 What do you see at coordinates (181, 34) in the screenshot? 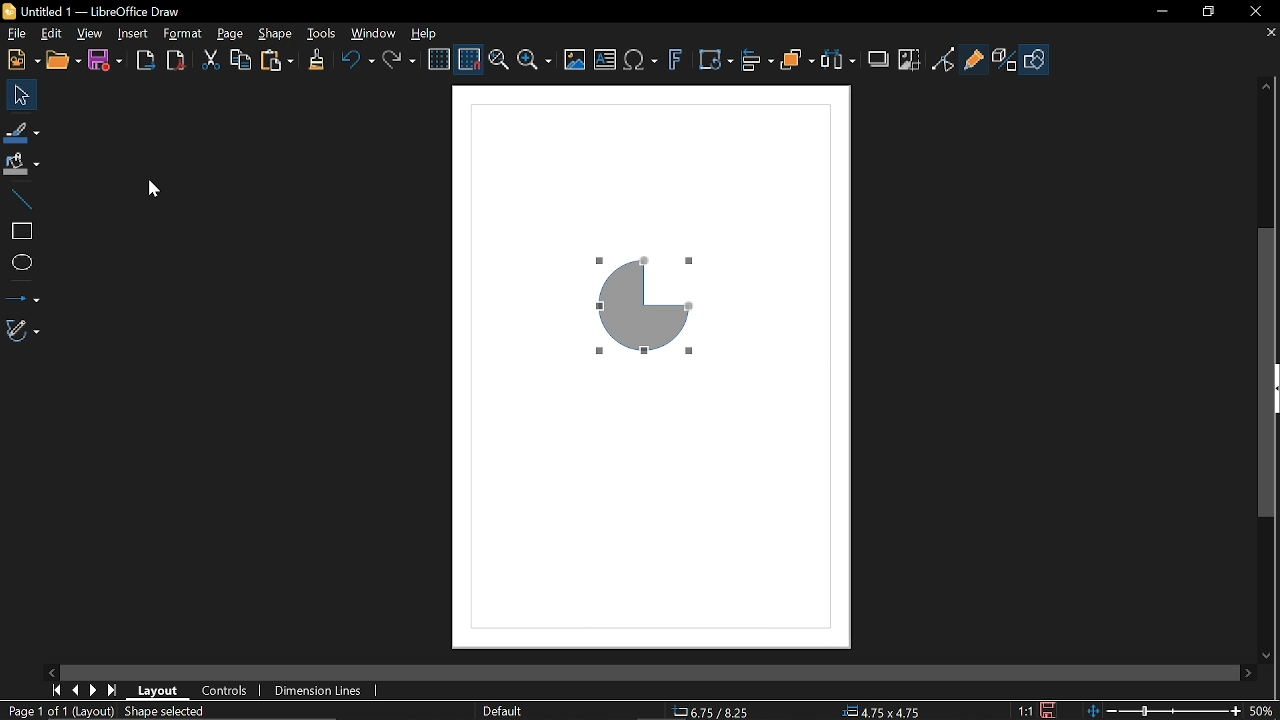
I see `Format` at bounding box center [181, 34].